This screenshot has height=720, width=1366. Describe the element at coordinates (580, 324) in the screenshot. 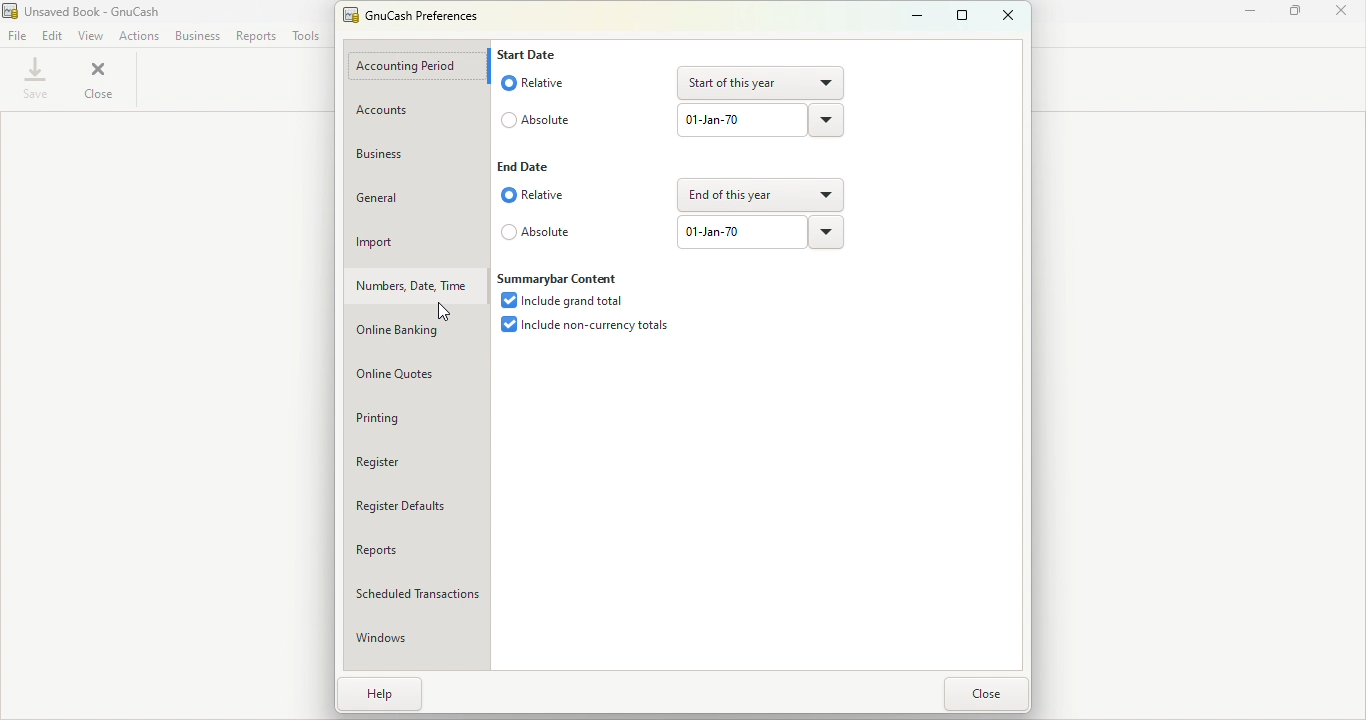

I see `Include non-currency totals` at that location.